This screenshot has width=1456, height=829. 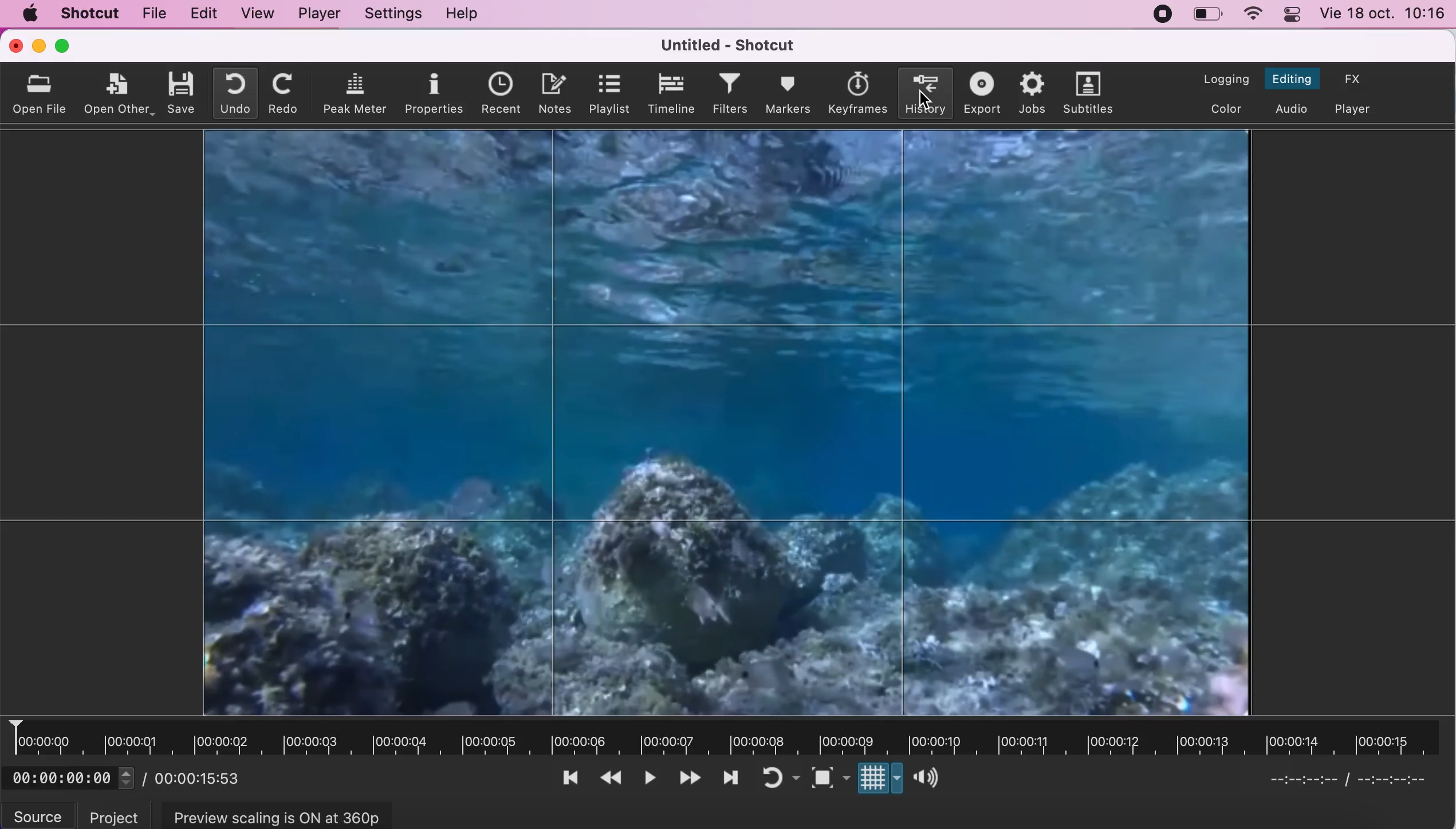 I want to click on toggle grid display on the player, so click(x=882, y=780).